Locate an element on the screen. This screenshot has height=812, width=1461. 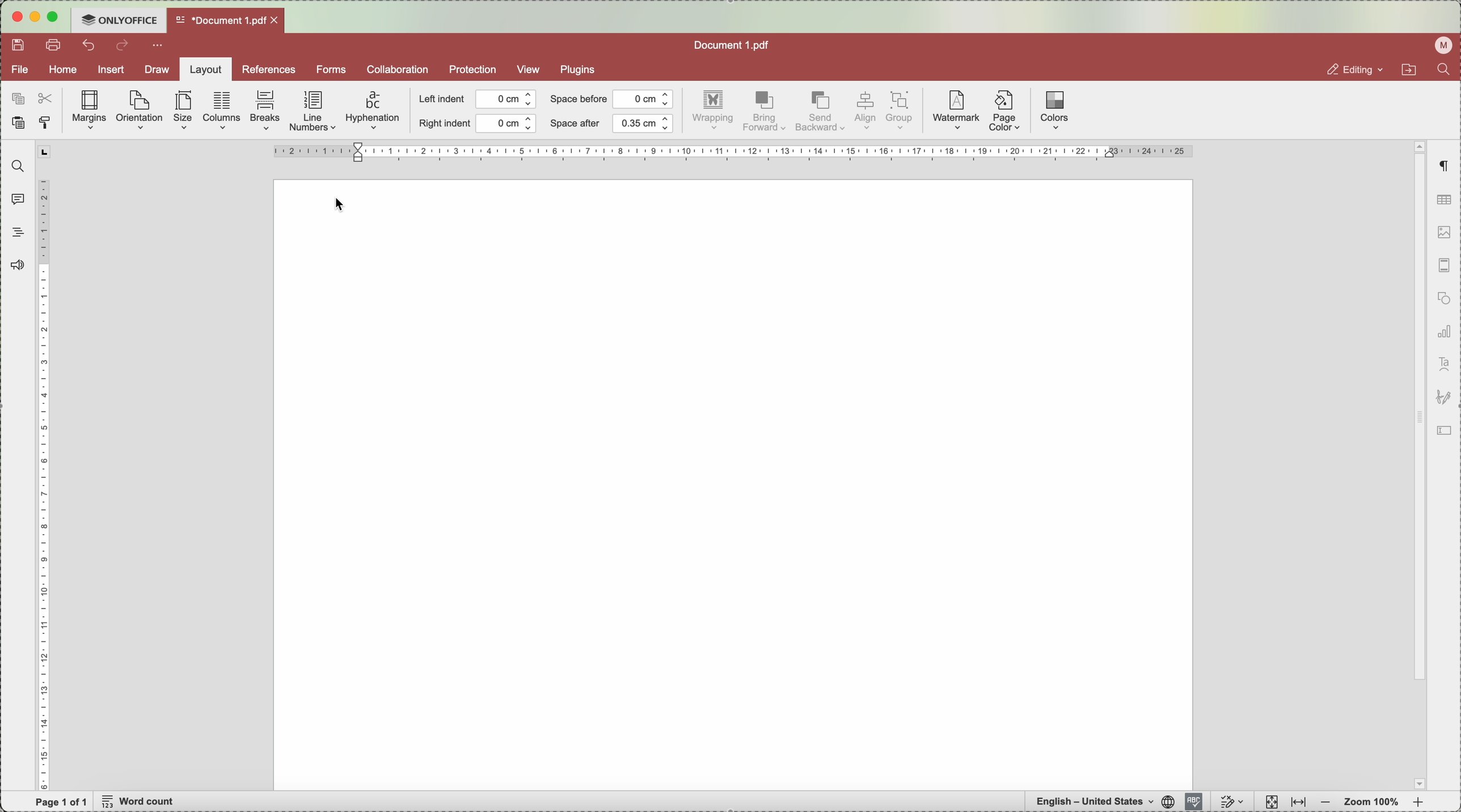
redo is located at coordinates (124, 47).